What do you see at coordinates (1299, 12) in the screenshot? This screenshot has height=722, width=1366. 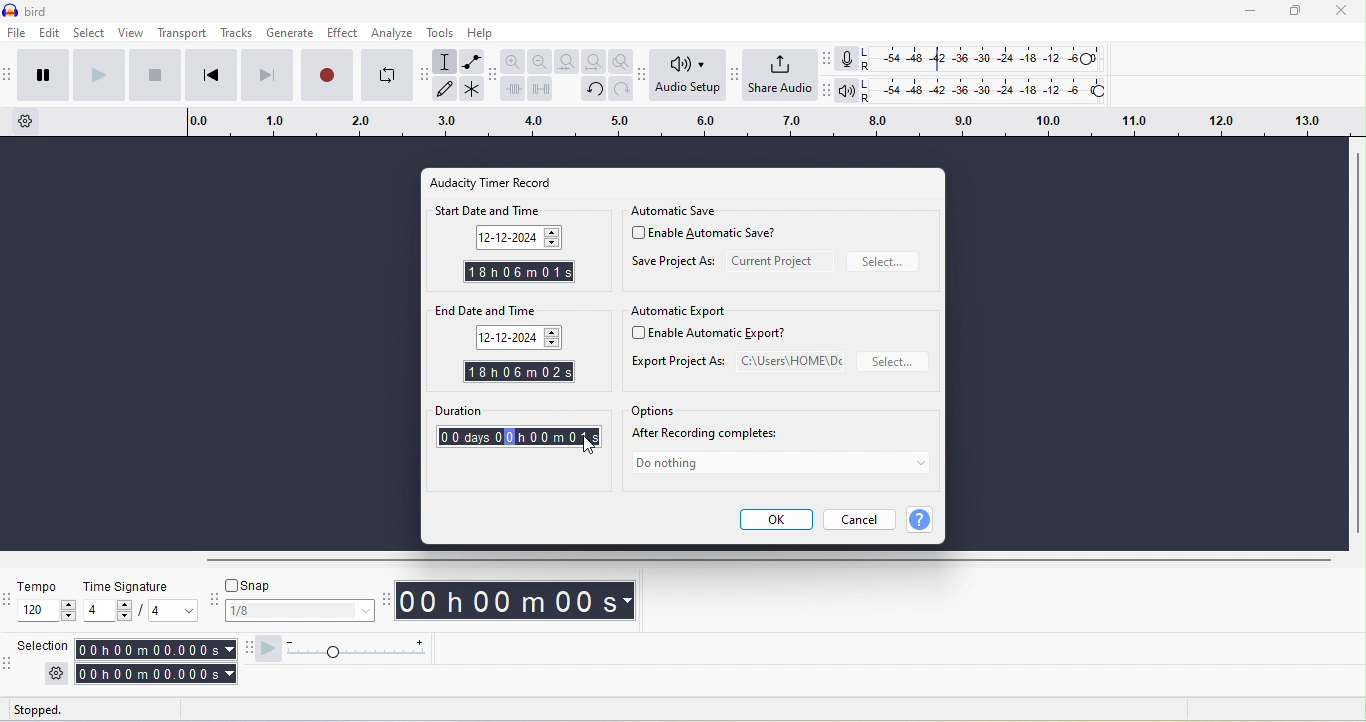 I see `maximize` at bounding box center [1299, 12].